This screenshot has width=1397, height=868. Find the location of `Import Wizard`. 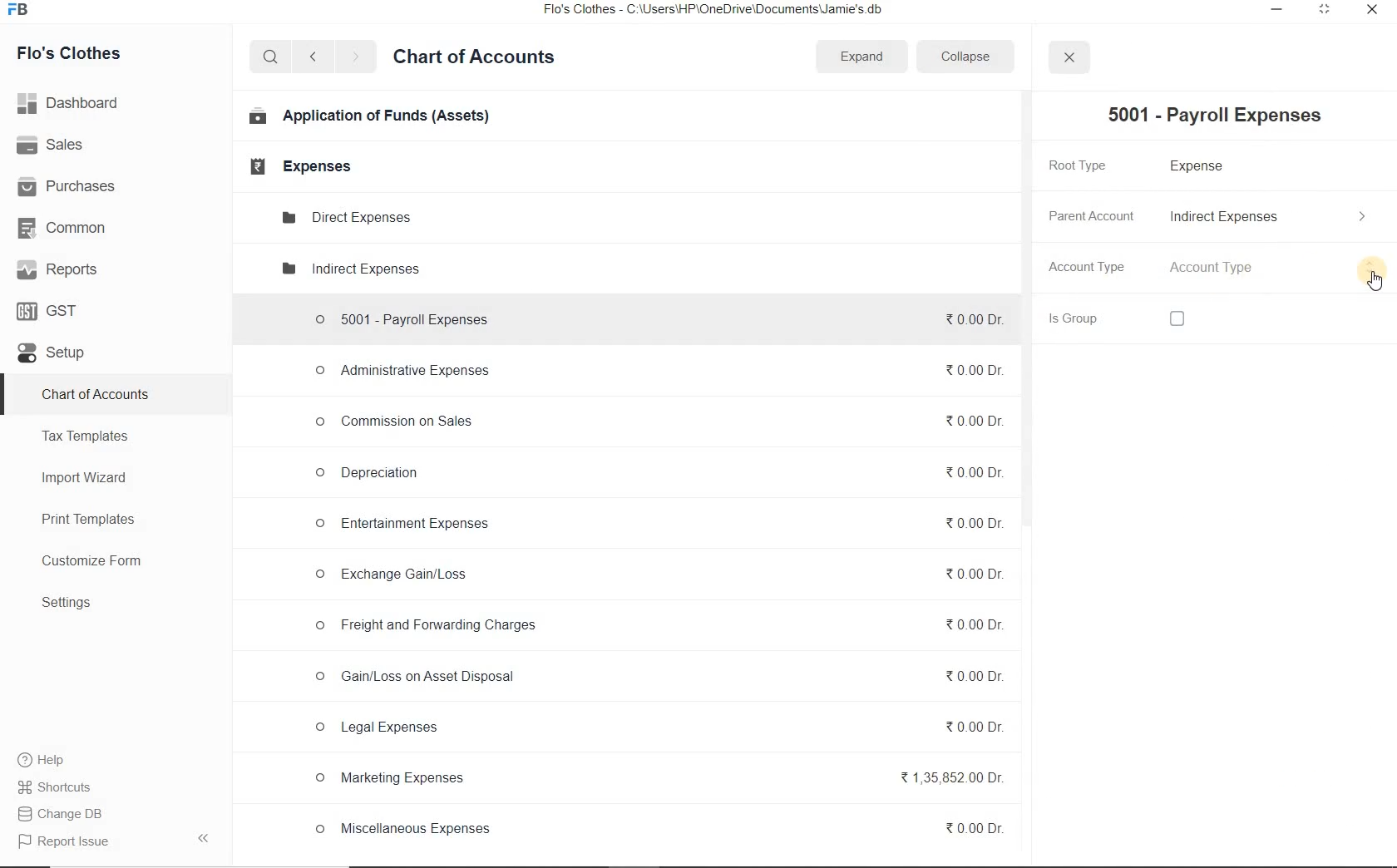

Import Wizard is located at coordinates (86, 477).